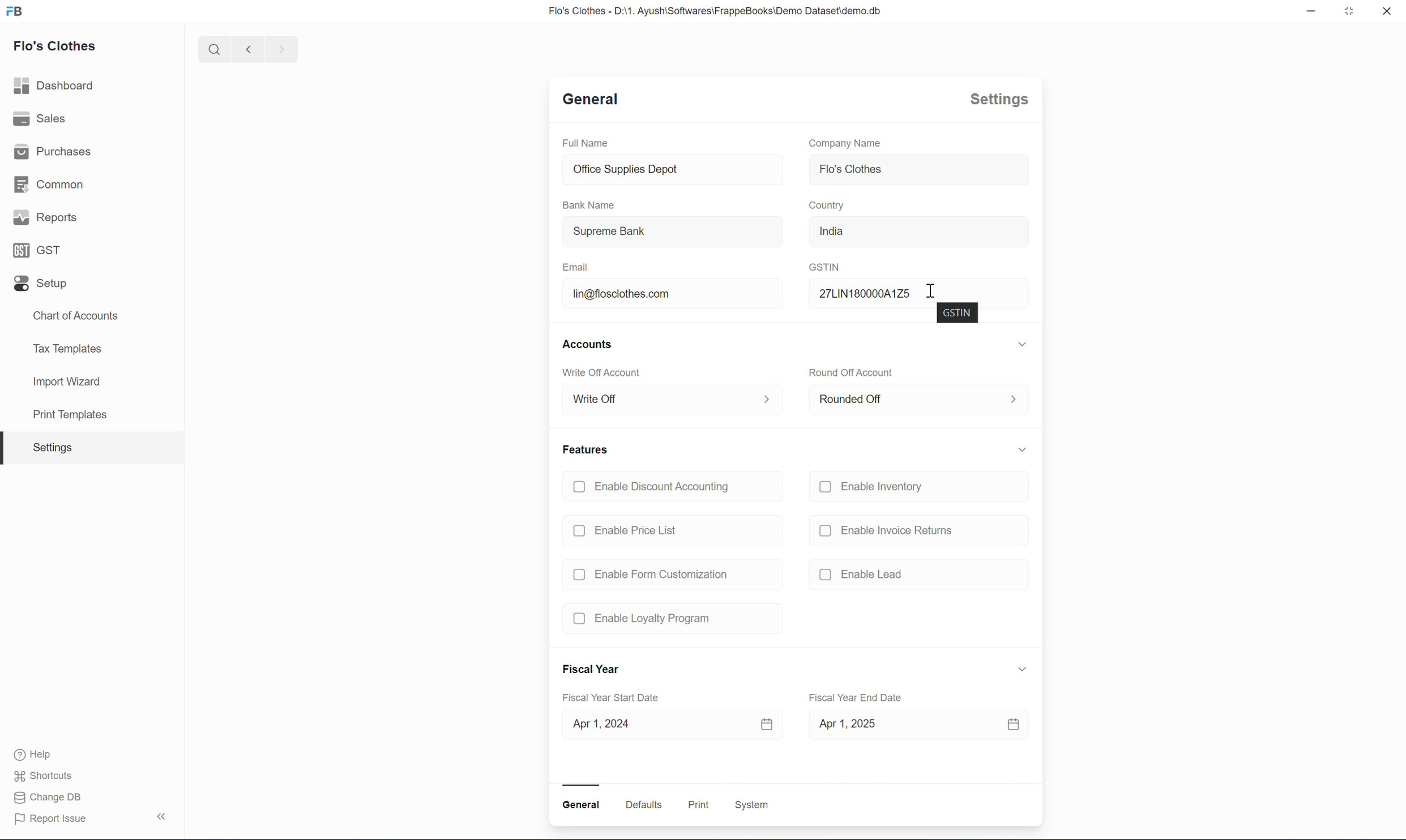  Describe the element at coordinates (1023, 343) in the screenshot. I see `Expand/collapse` at that location.